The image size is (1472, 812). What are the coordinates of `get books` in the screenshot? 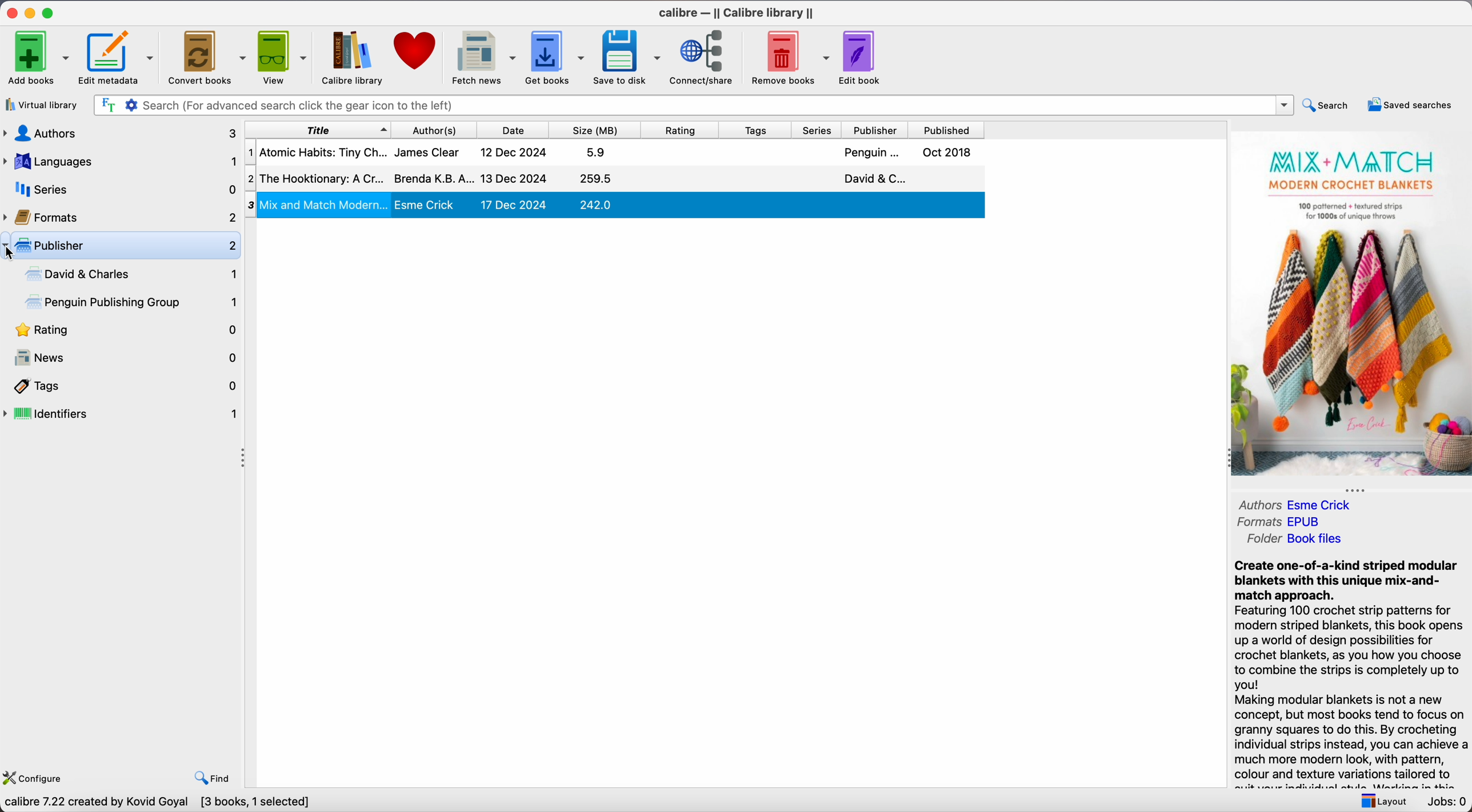 It's located at (557, 57).